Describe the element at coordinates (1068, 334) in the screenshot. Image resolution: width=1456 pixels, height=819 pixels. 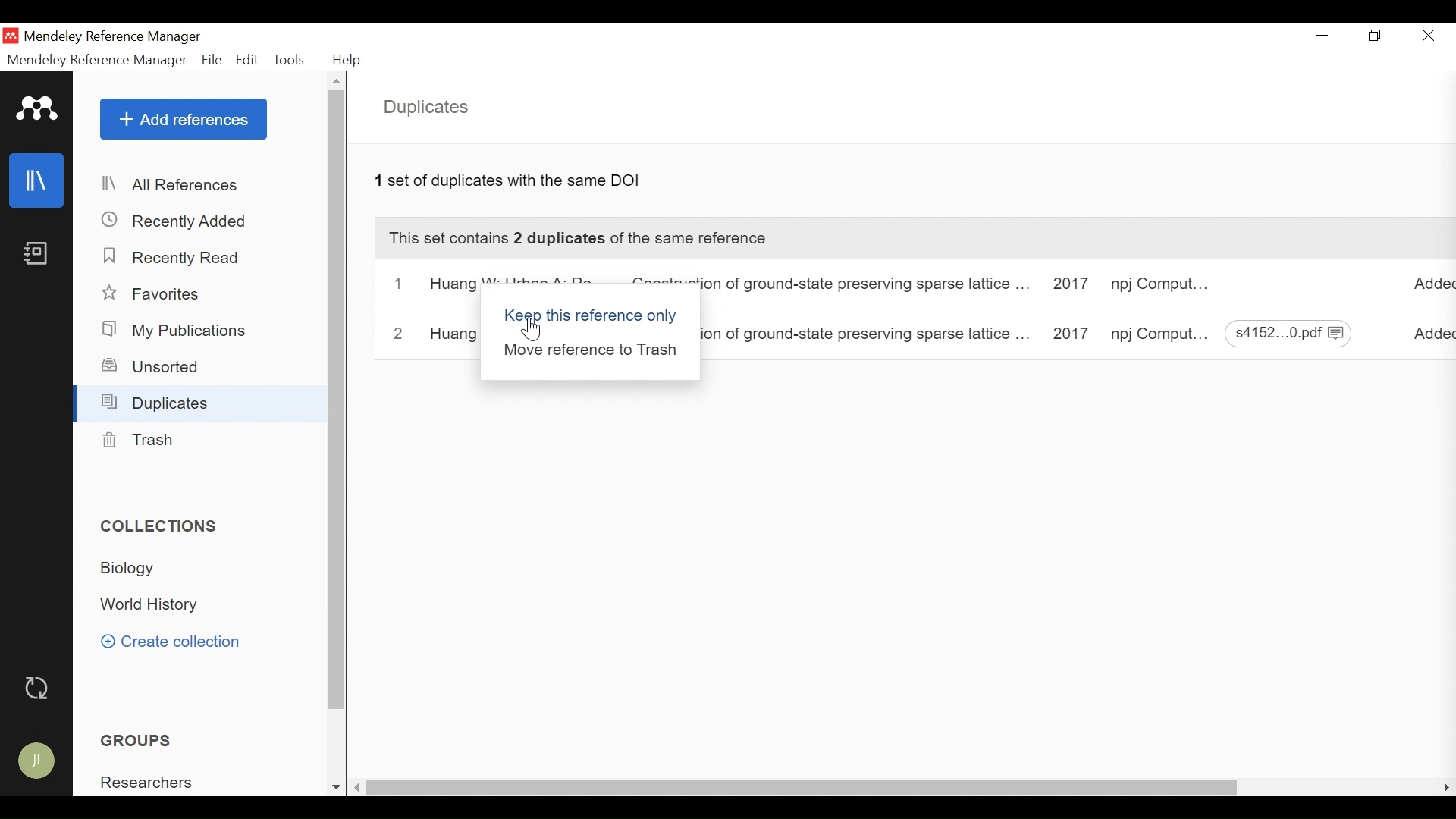
I see `Year` at that location.